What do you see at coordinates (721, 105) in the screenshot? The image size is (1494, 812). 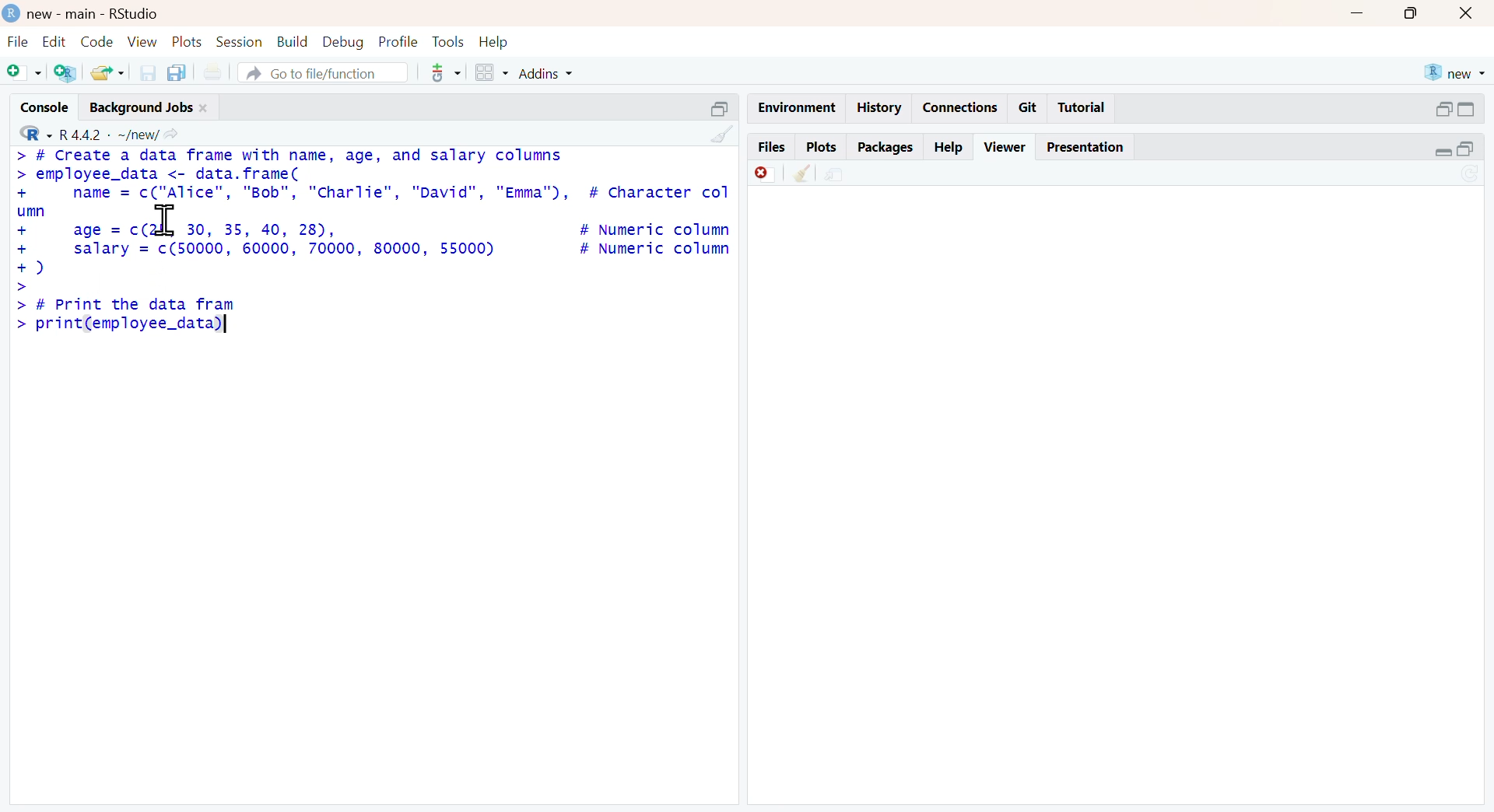 I see `minimize` at bounding box center [721, 105].